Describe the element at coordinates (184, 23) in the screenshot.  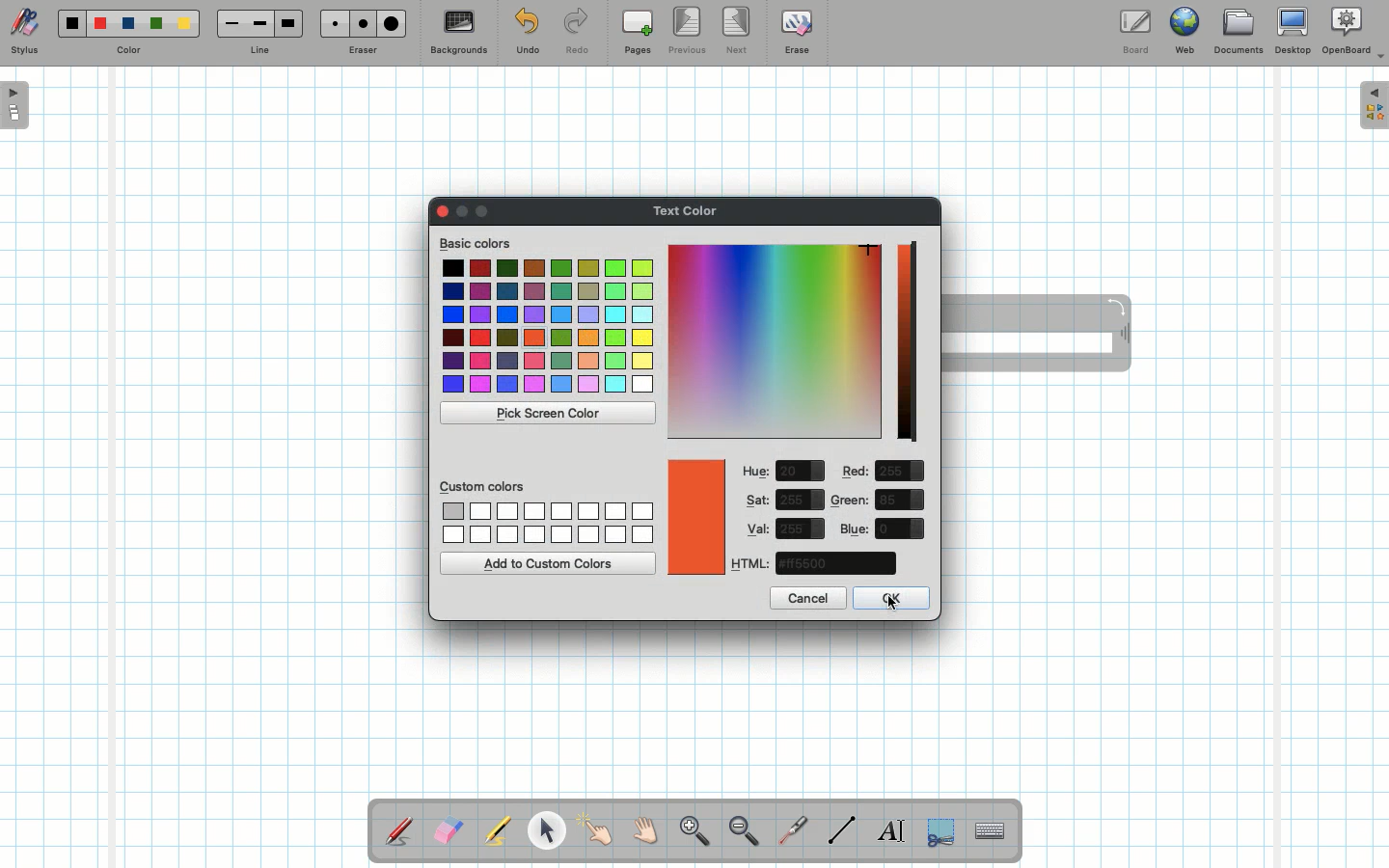
I see `Yellow` at that location.